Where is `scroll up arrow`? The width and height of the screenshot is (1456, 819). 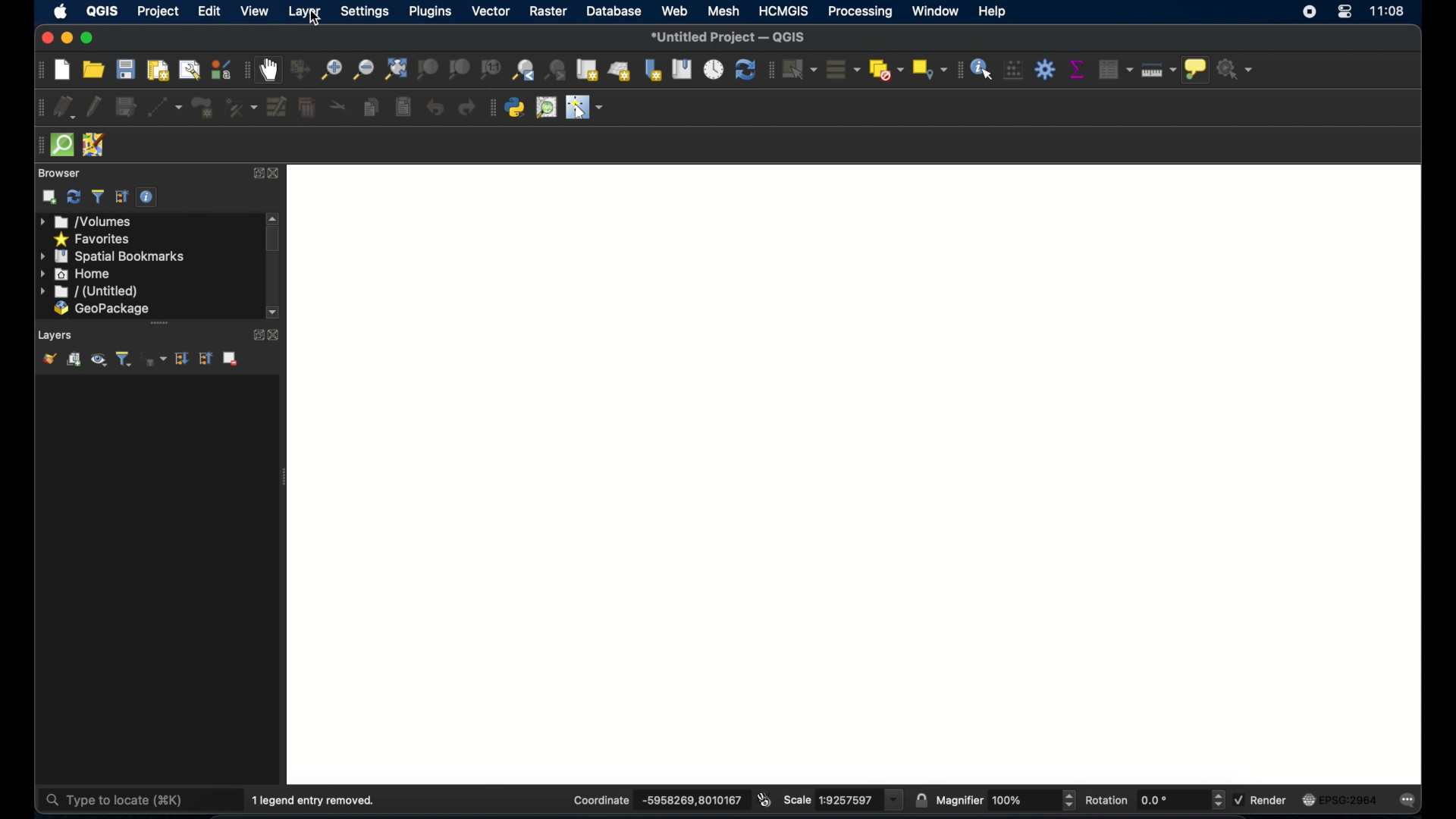
scroll up arrow is located at coordinates (275, 218).